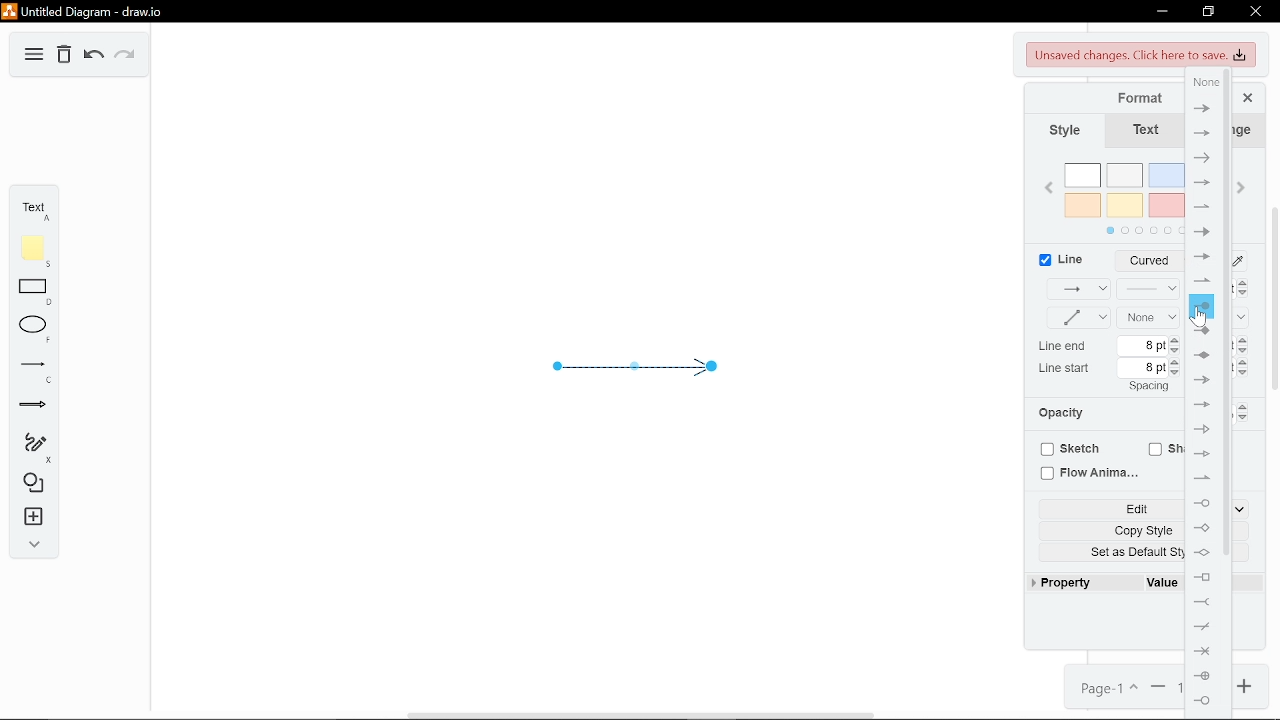 Image resolution: width=1280 pixels, height=720 pixels. What do you see at coordinates (1063, 260) in the screenshot?
I see `Line` at bounding box center [1063, 260].